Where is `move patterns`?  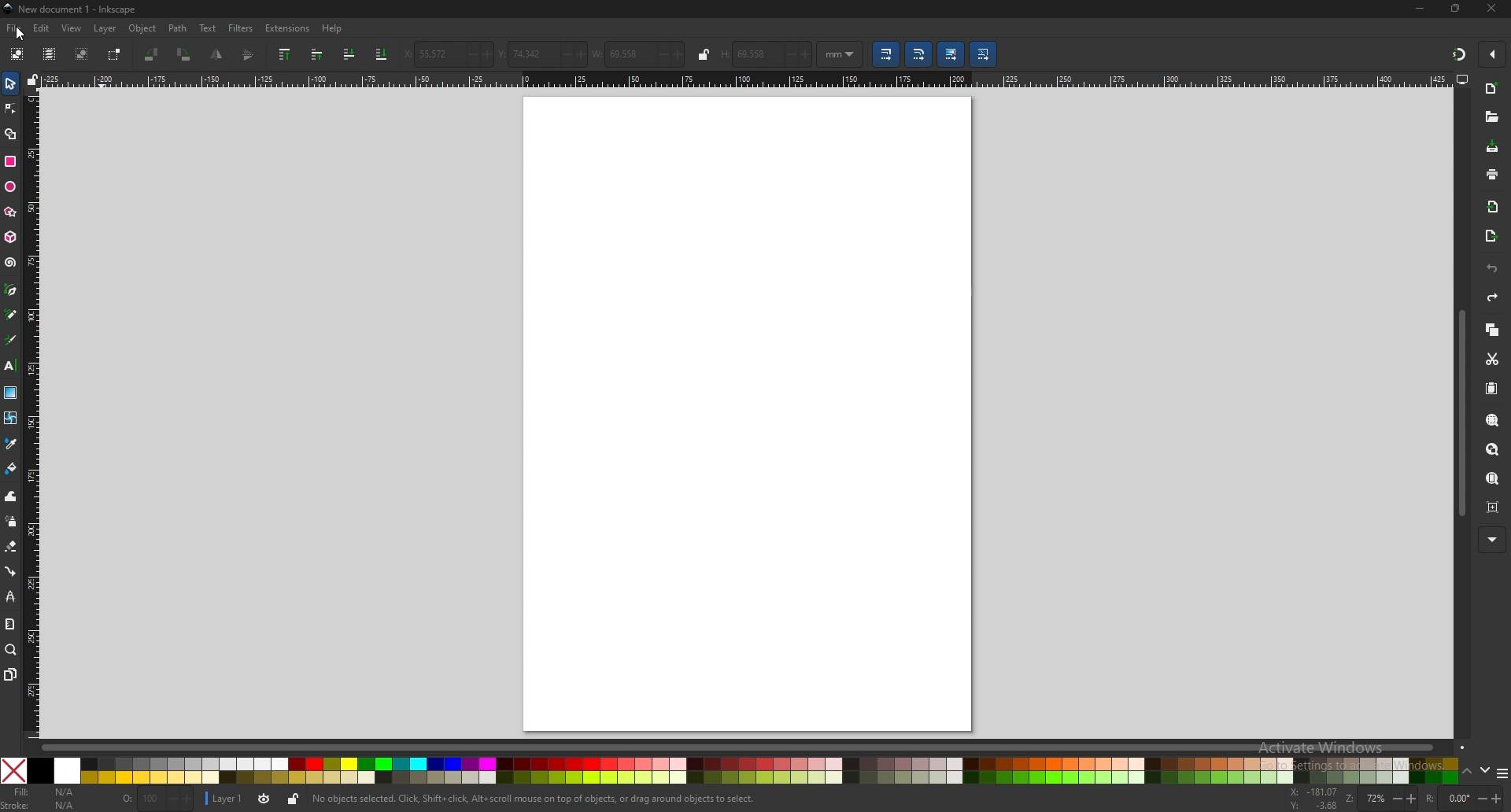 move patterns is located at coordinates (985, 54).